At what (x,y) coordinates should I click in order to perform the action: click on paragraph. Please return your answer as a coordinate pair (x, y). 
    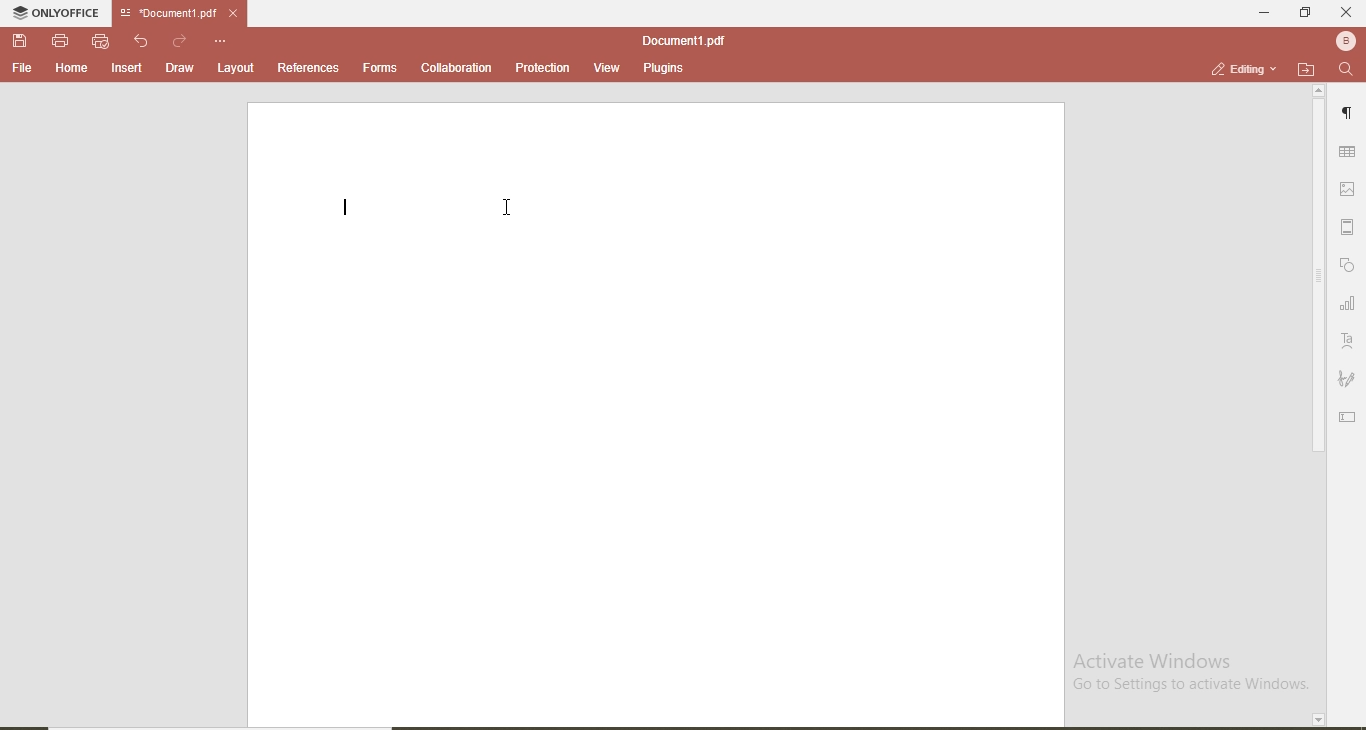
    Looking at the image, I should click on (1349, 112).